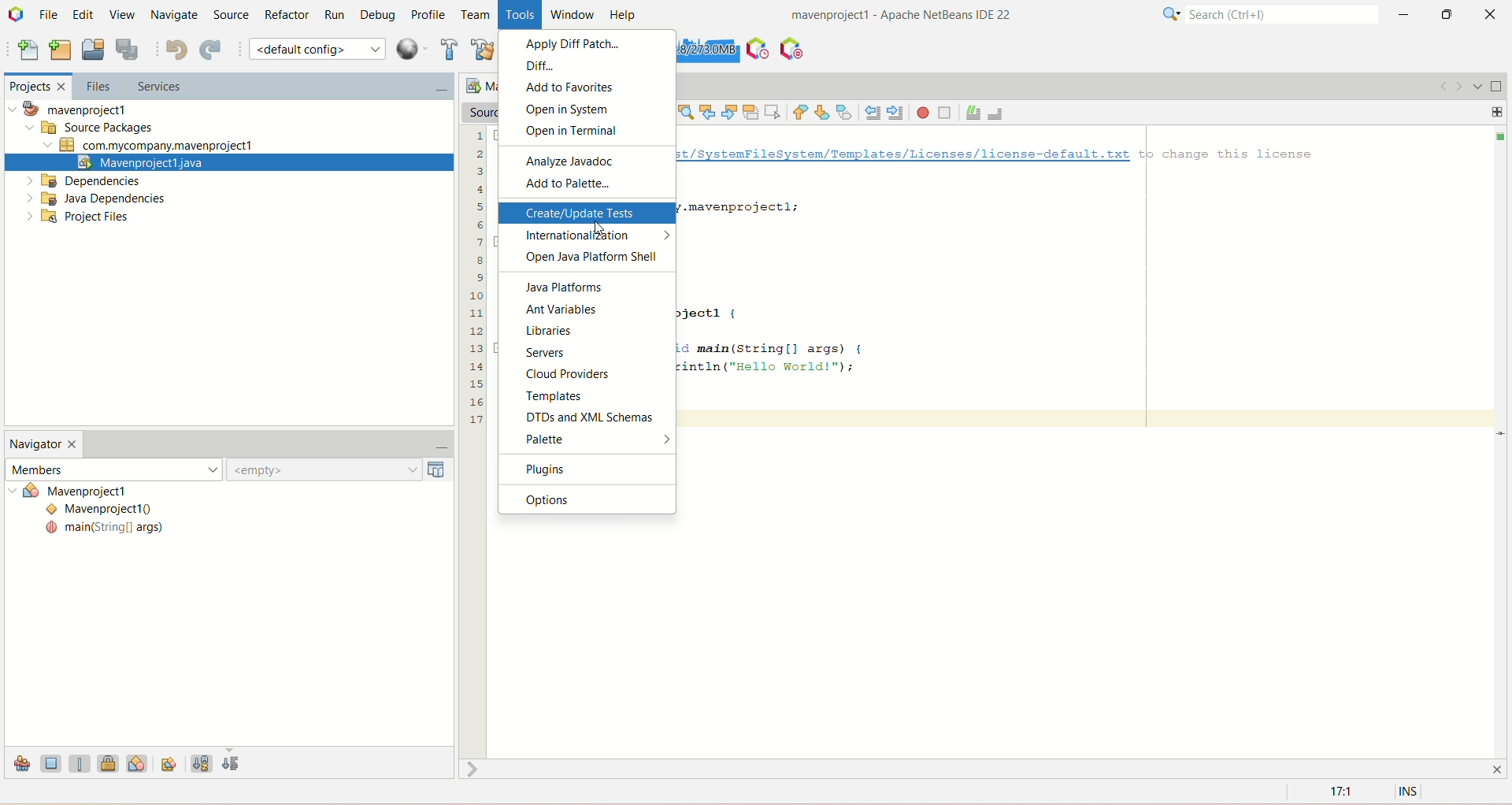  I want to click on cloud providers, so click(588, 374).